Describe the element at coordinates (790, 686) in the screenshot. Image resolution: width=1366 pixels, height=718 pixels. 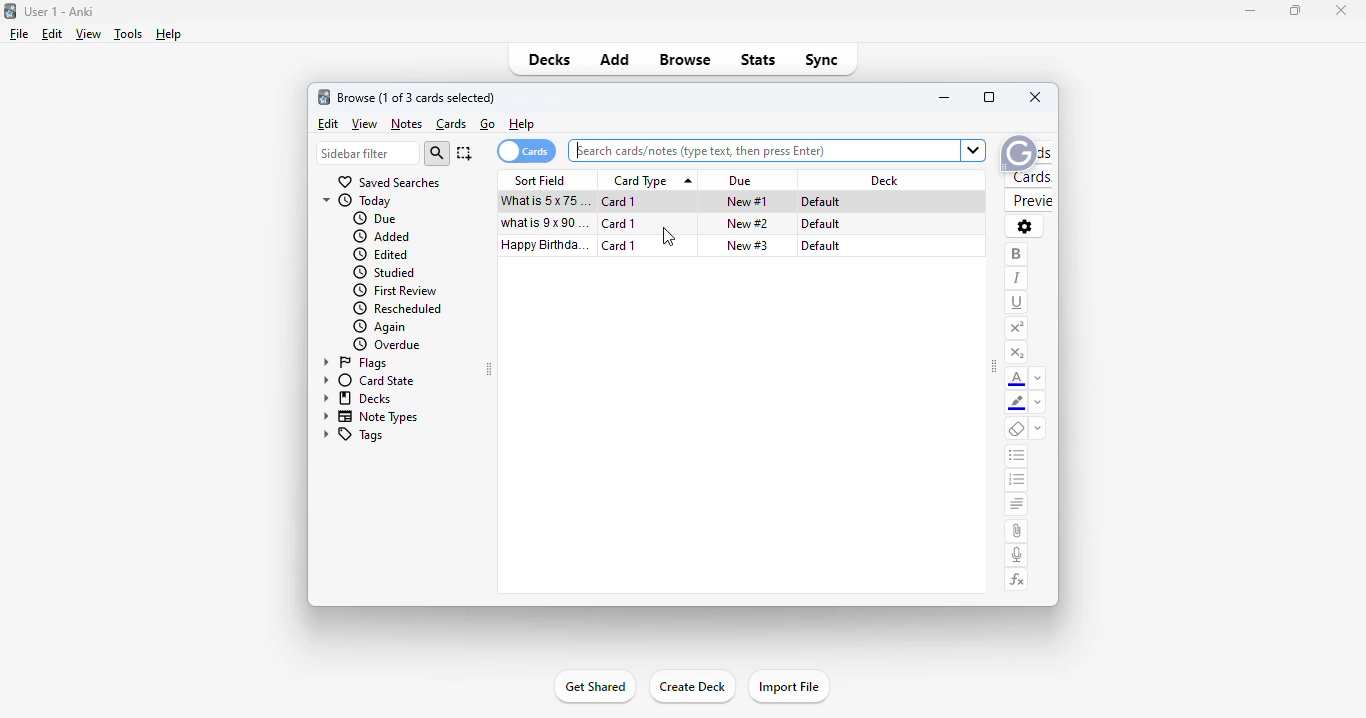
I see `import file` at that location.